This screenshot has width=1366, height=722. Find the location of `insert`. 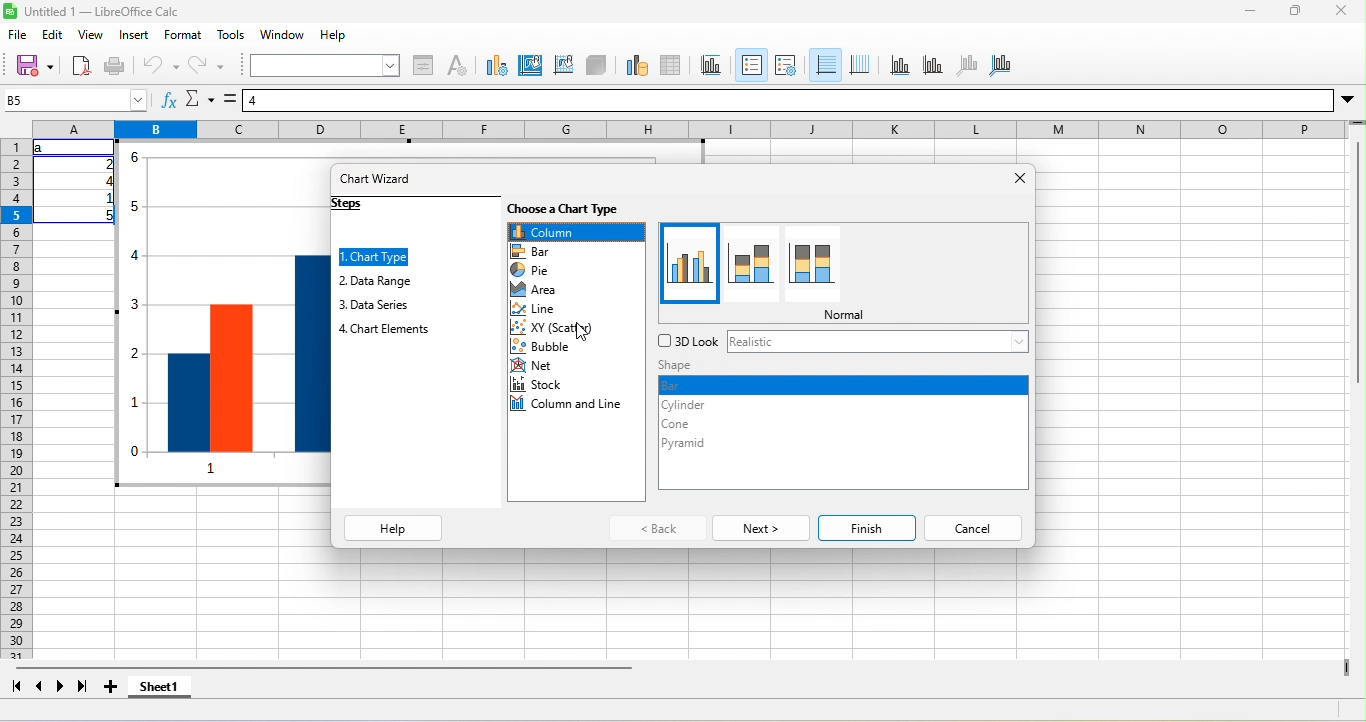

insert is located at coordinates (134, 35).